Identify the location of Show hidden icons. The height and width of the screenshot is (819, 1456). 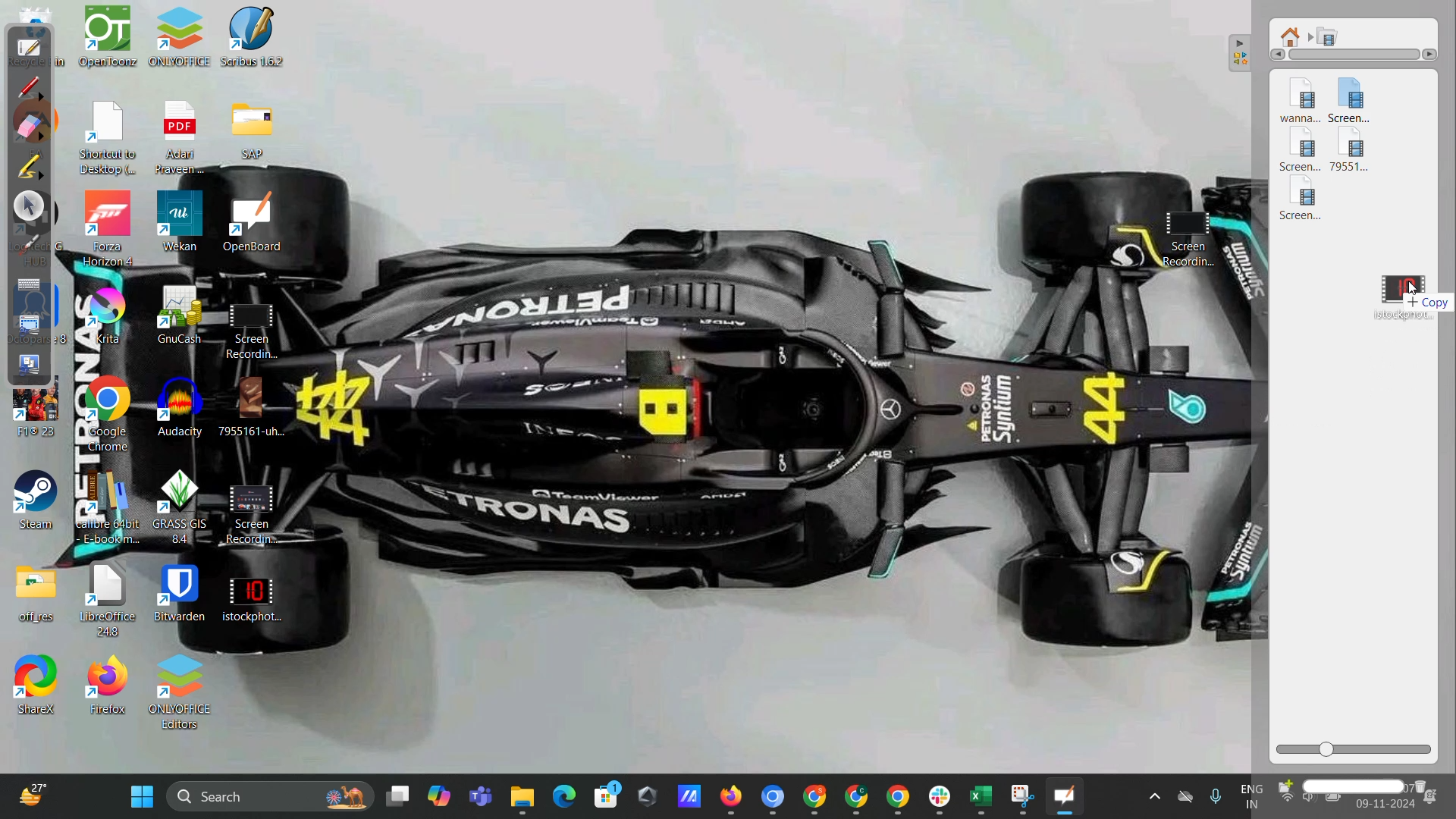
(1150, 792).